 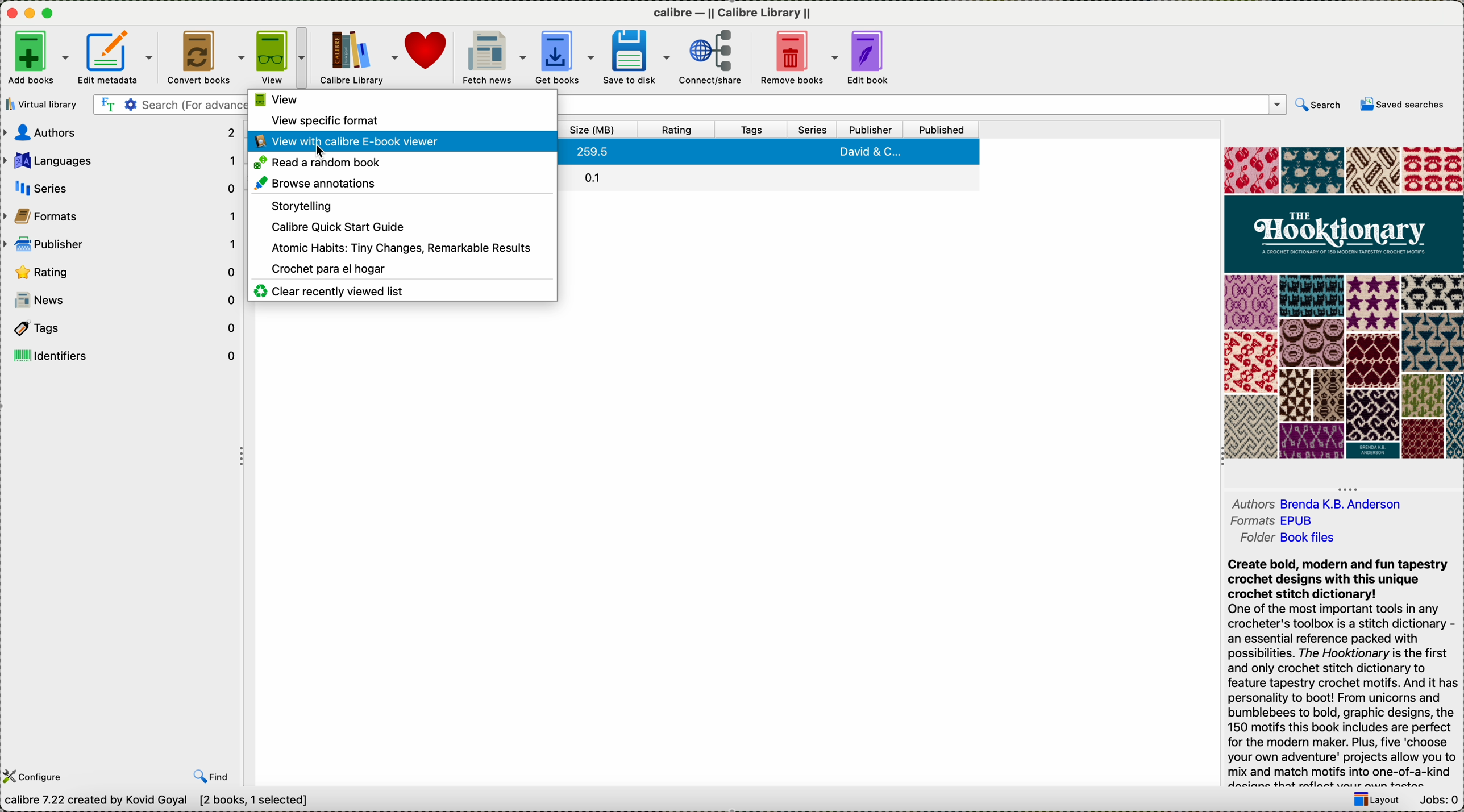 What do you see at coordinates (400, 141) in the screenshot?
I see `click on view with Calibre e-book viewer` at bounding box center [400, 141].